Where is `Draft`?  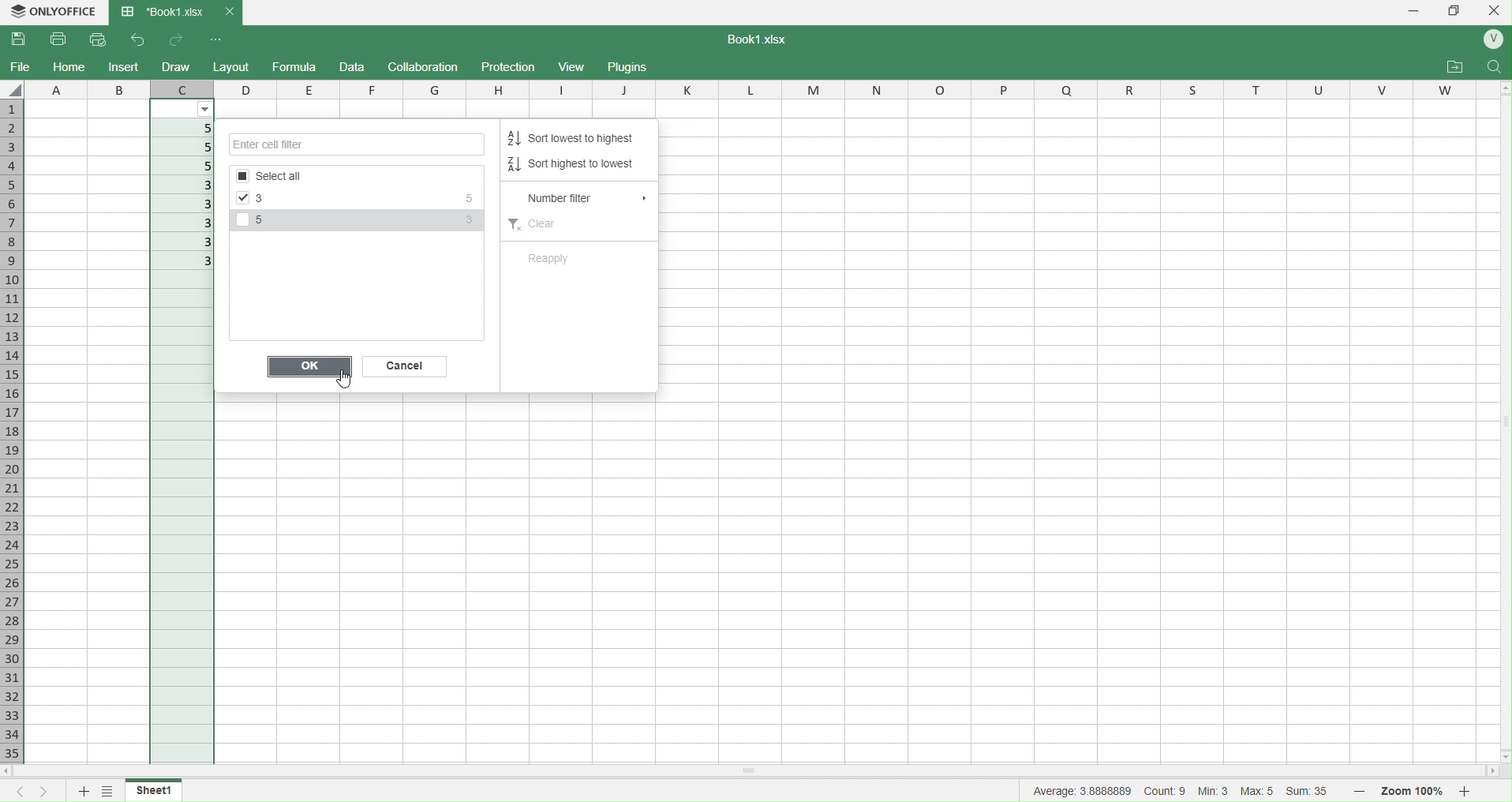
Draft is located at coordinates (351, 67).